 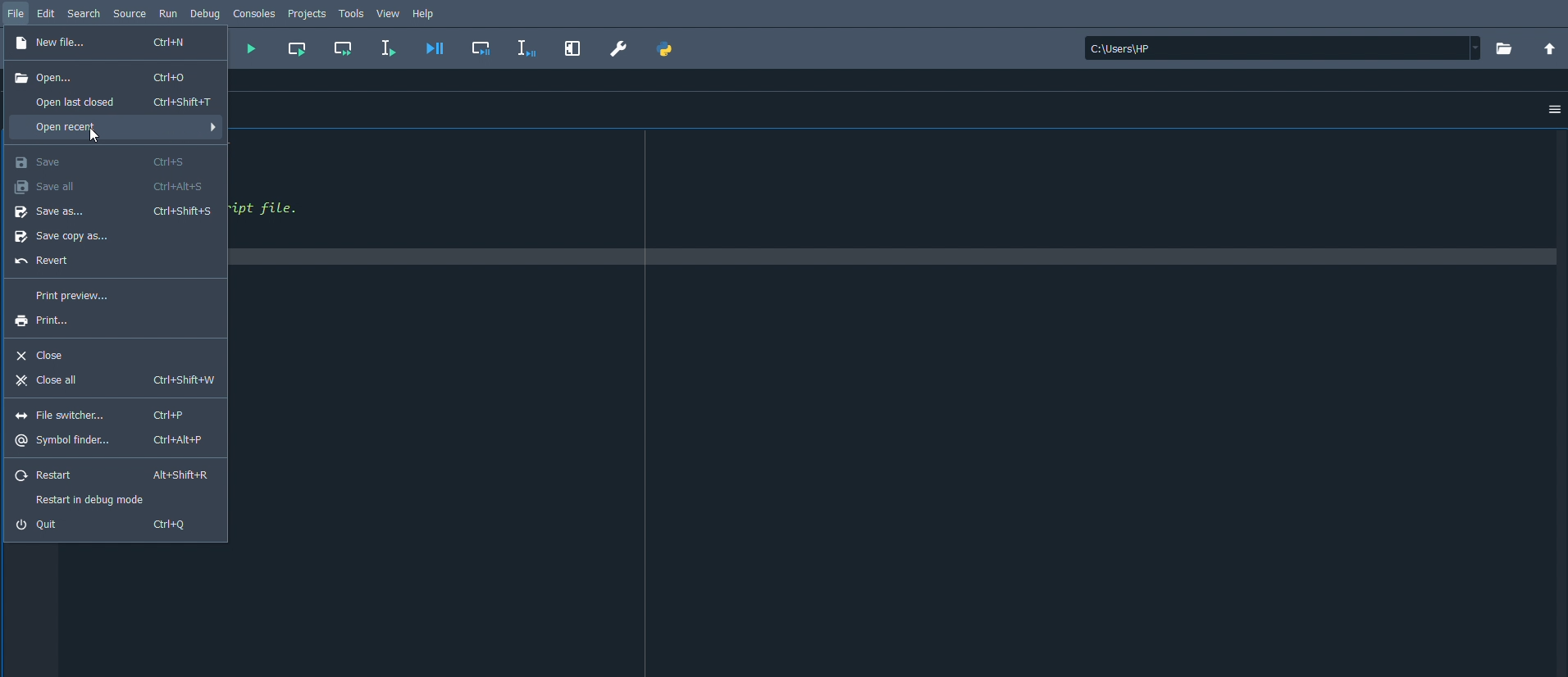 I want to click on Run current cell, so click(x=297, y=48).